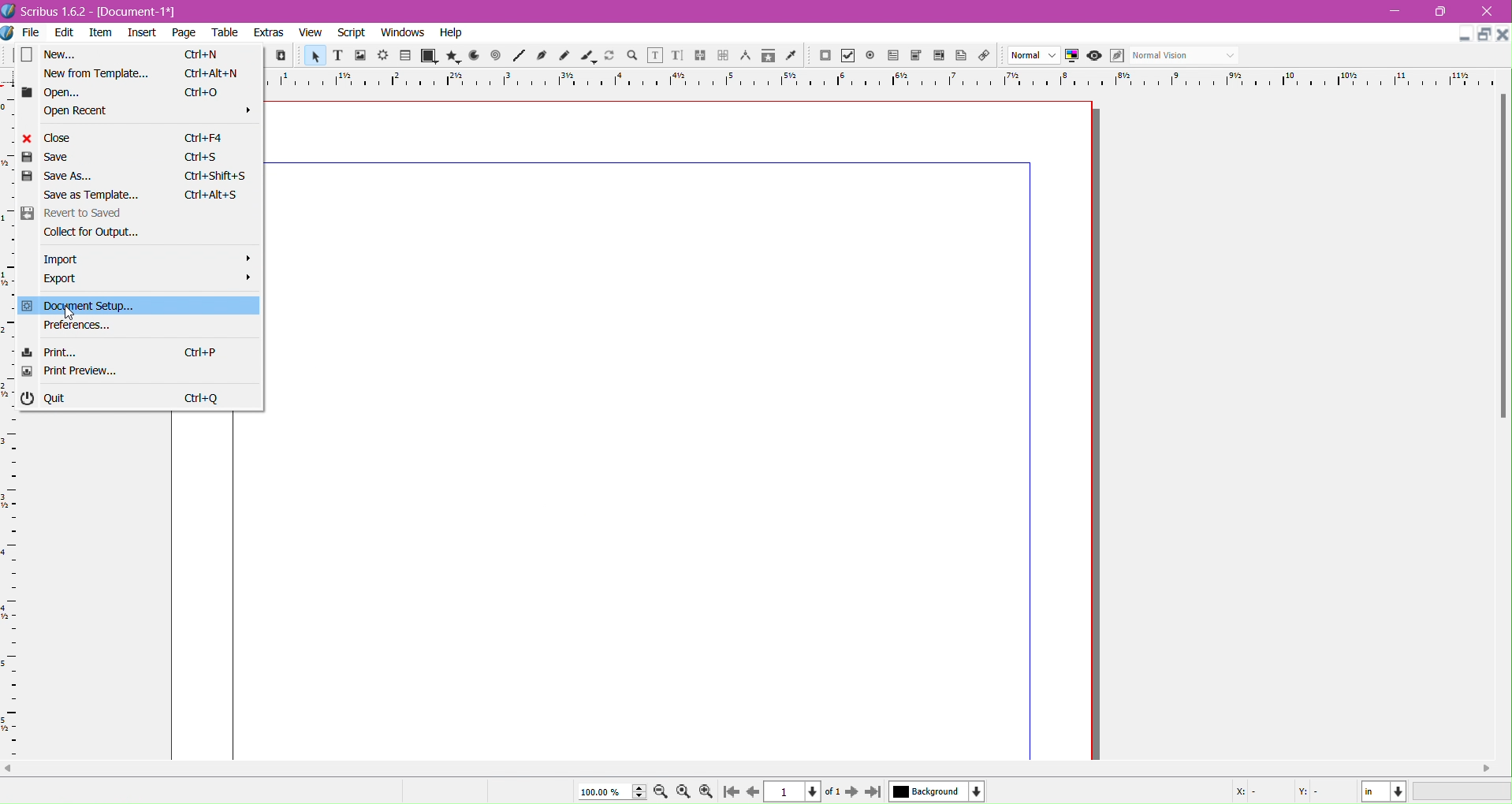 This screenshot has height=804, width=1512. I want to click on page menu, so click(184, 34).